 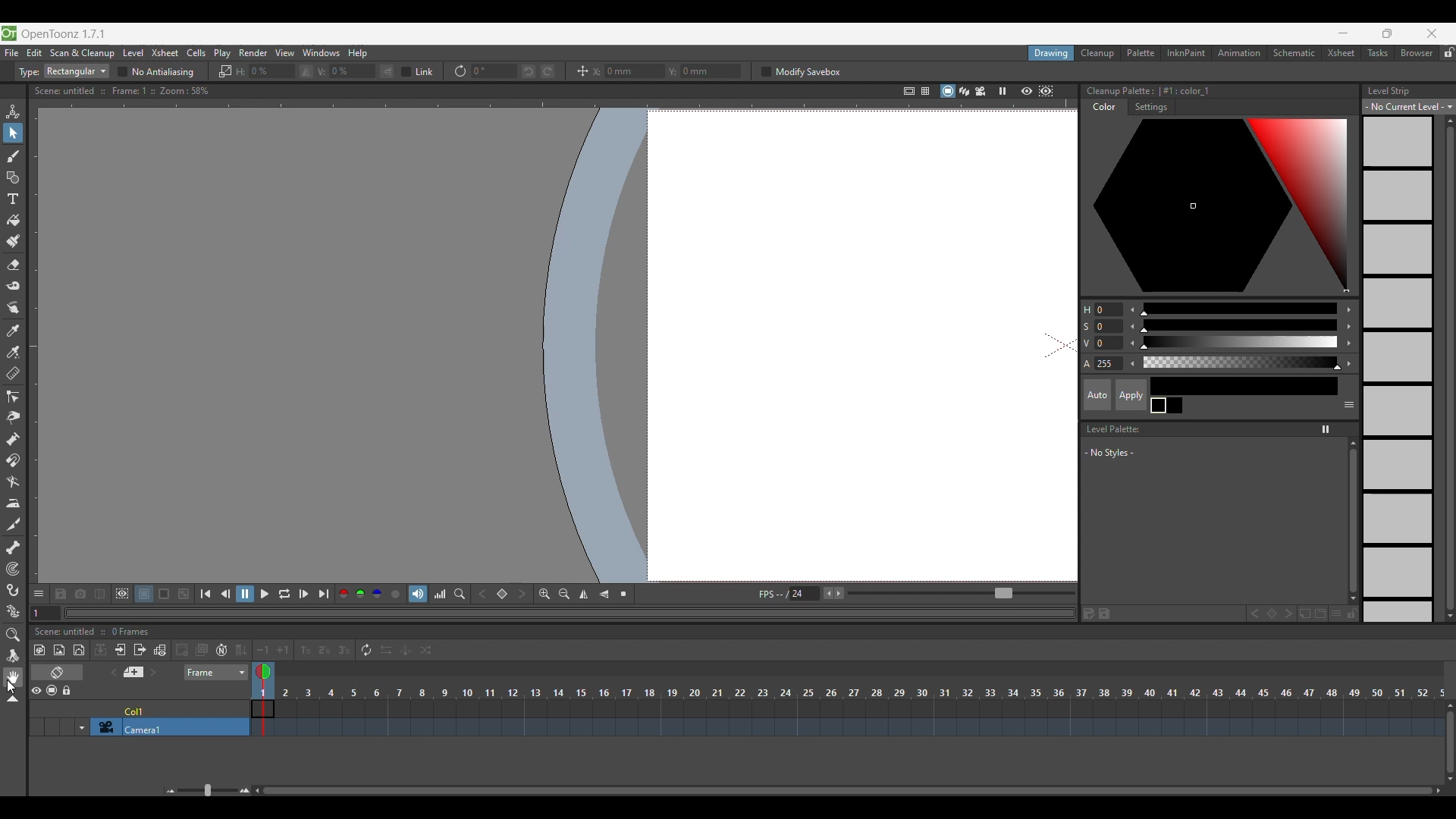 I want to click on Reframe on 1's, so click(x=304, y=650).